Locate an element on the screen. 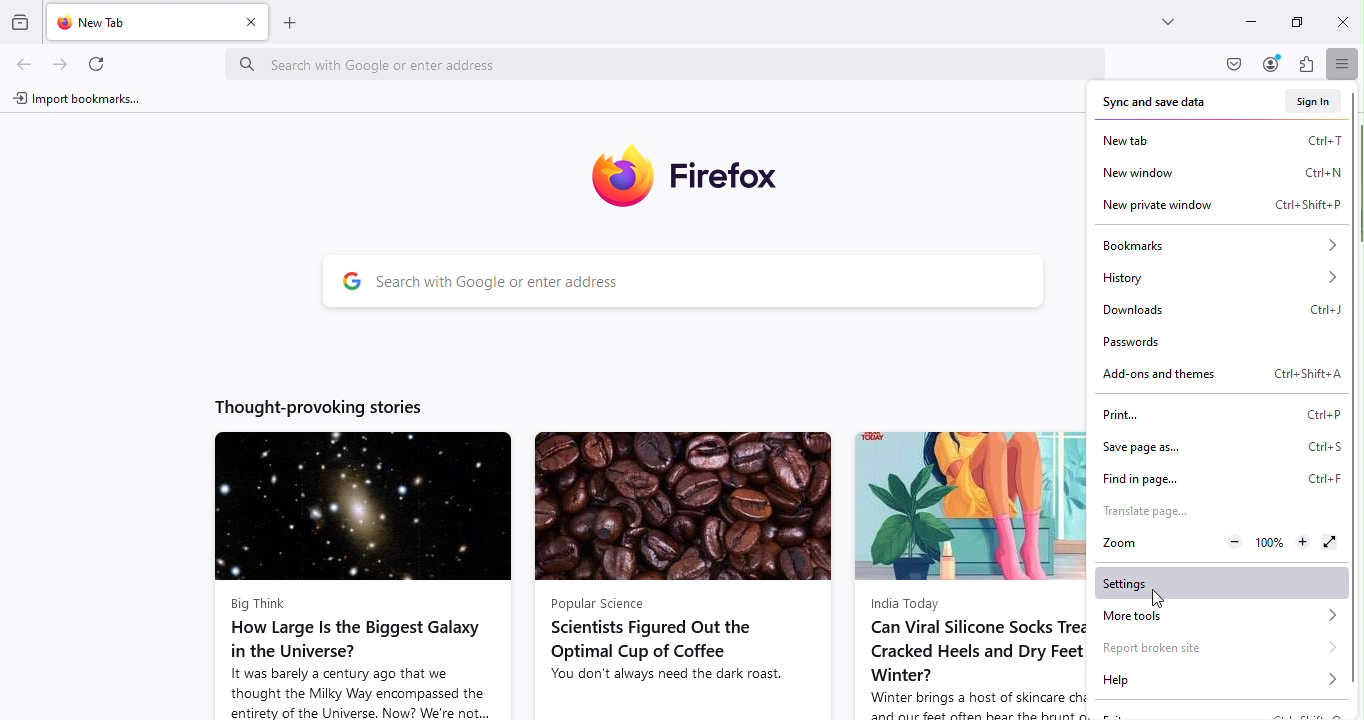  More tools is located at coordinates (1221, 617).